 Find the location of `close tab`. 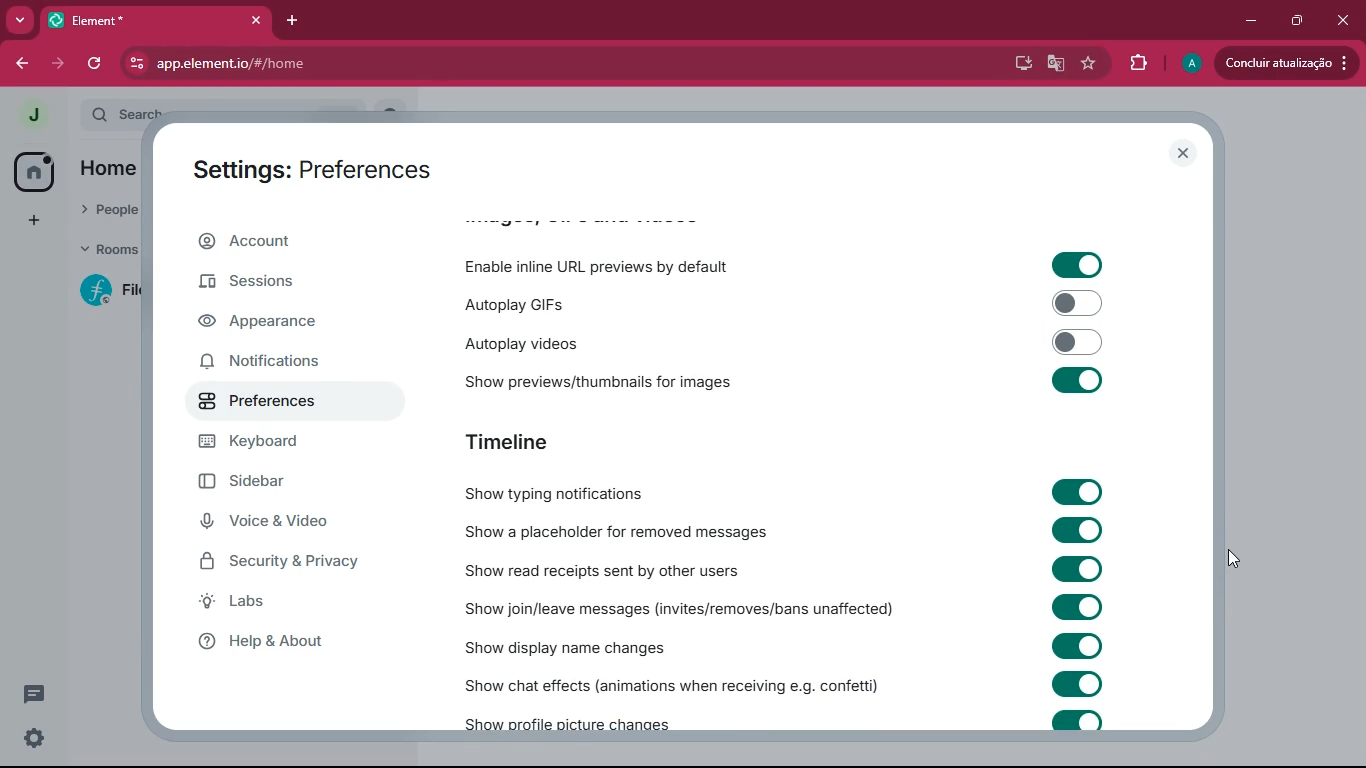

close tab is located at coordinates (256, 21).